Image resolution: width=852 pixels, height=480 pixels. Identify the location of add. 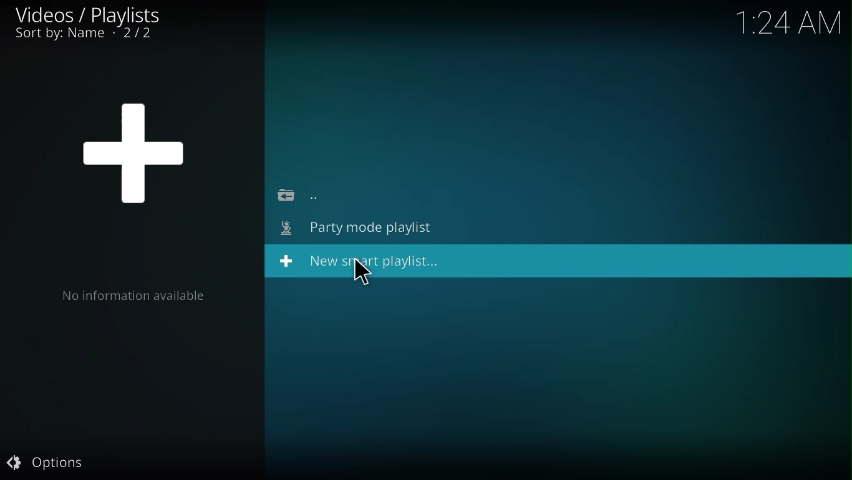
(136, 149).